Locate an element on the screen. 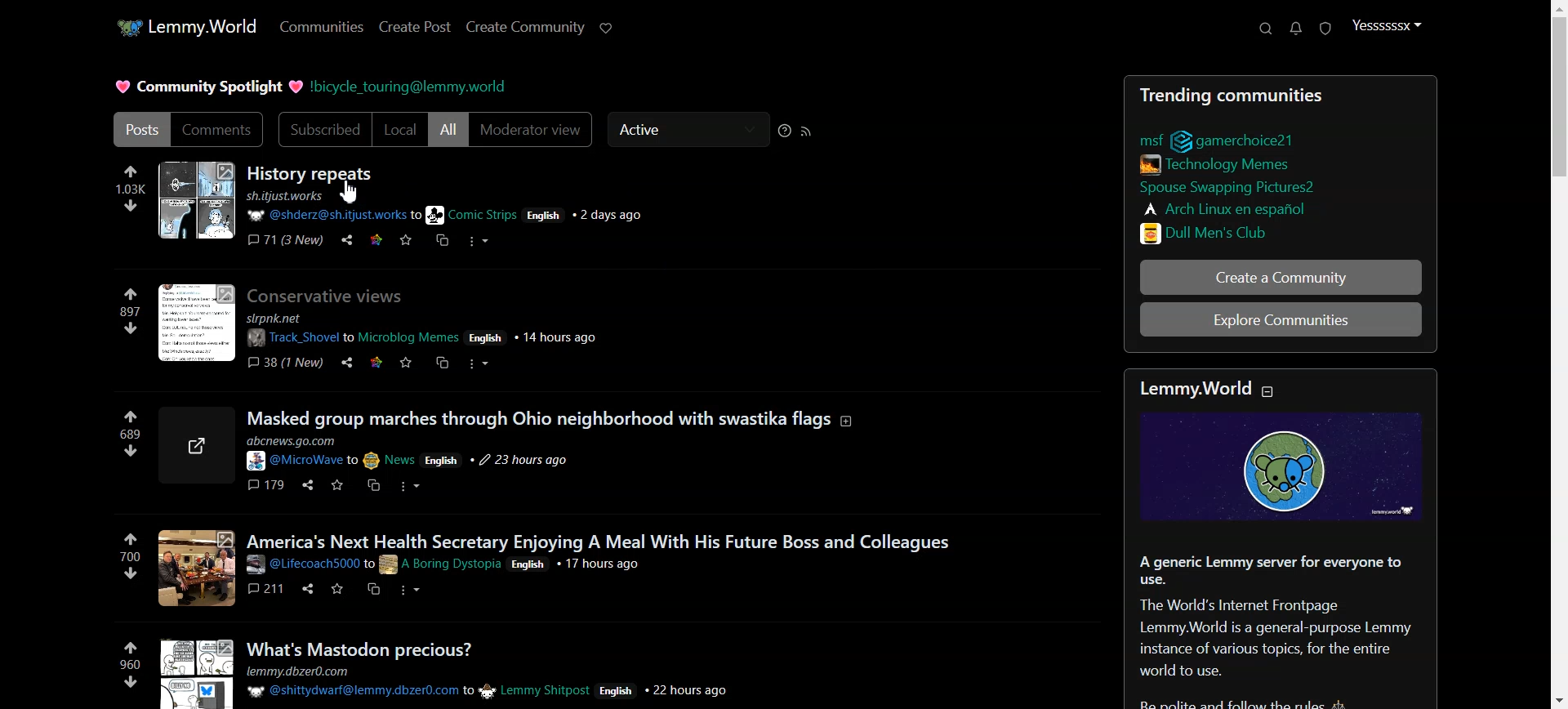  slrpnk.net is located at coordinates (281, 318).